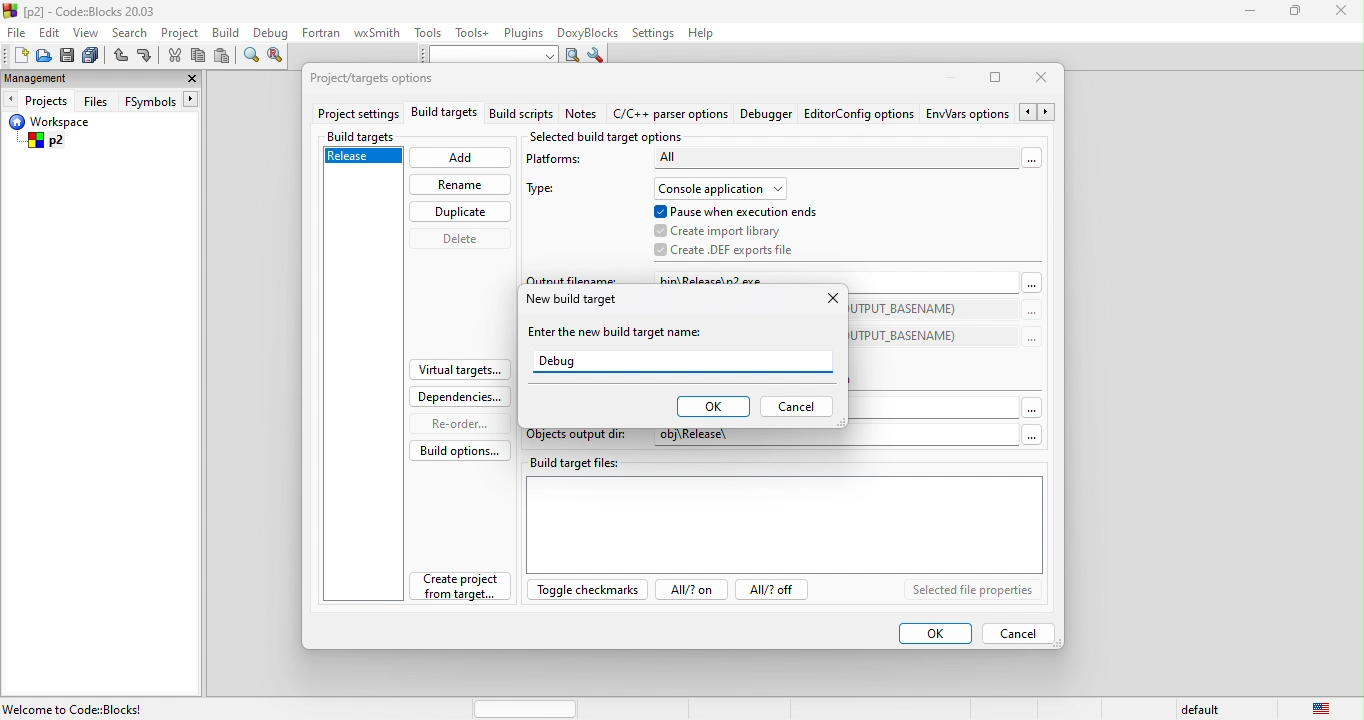 The height and width of the screenshot is (720, 1364). What do you see at coordinates (456, 423) in the screenshot?
I see `re order` at bounding box center [456, 423].